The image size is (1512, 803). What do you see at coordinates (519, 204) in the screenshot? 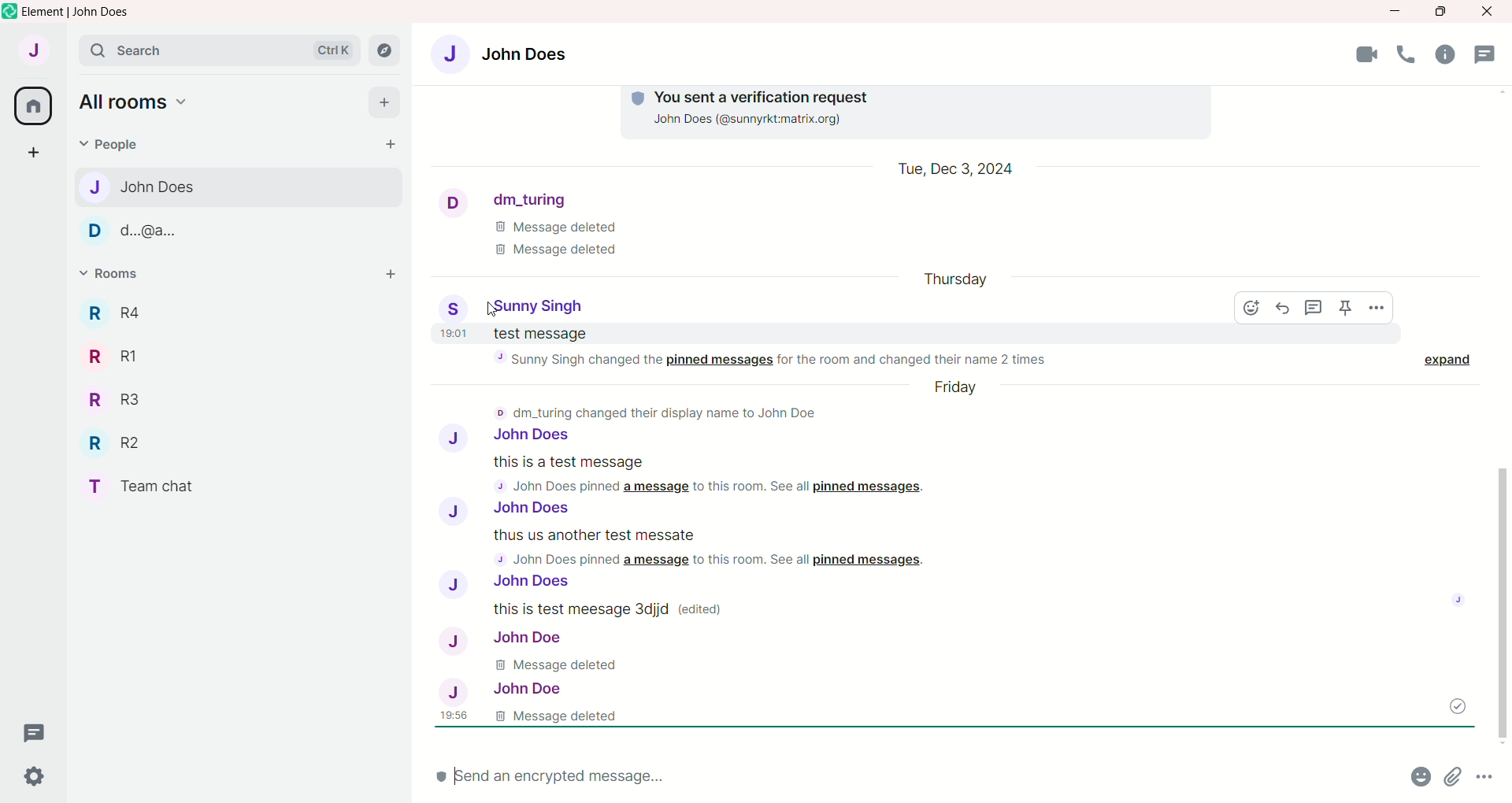
I see `dm_turing` at bounding box center [519, 204].